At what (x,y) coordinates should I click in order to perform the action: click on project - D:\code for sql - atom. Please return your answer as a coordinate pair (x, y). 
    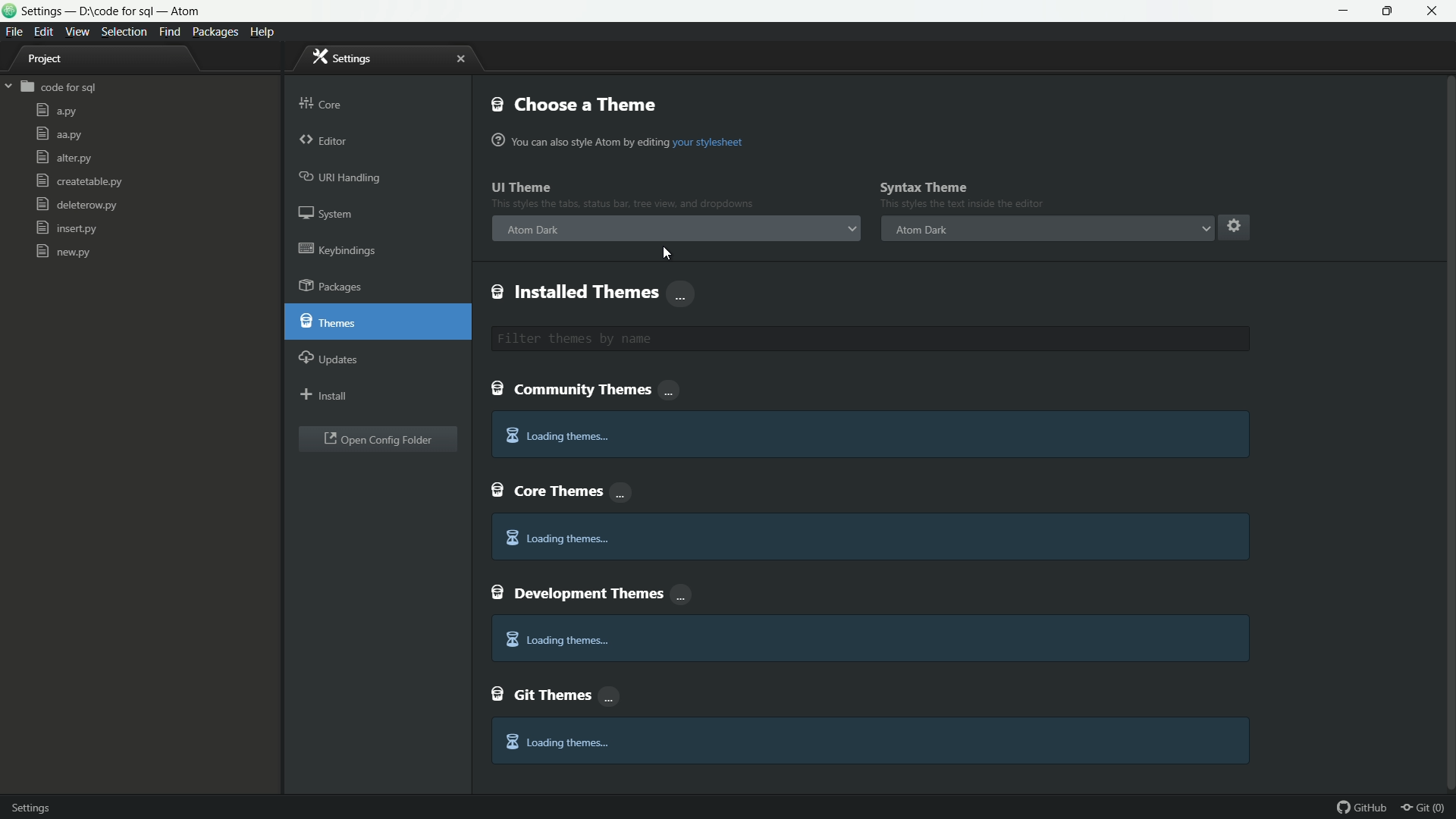
    Looking at the image, I should click on (110, 12).